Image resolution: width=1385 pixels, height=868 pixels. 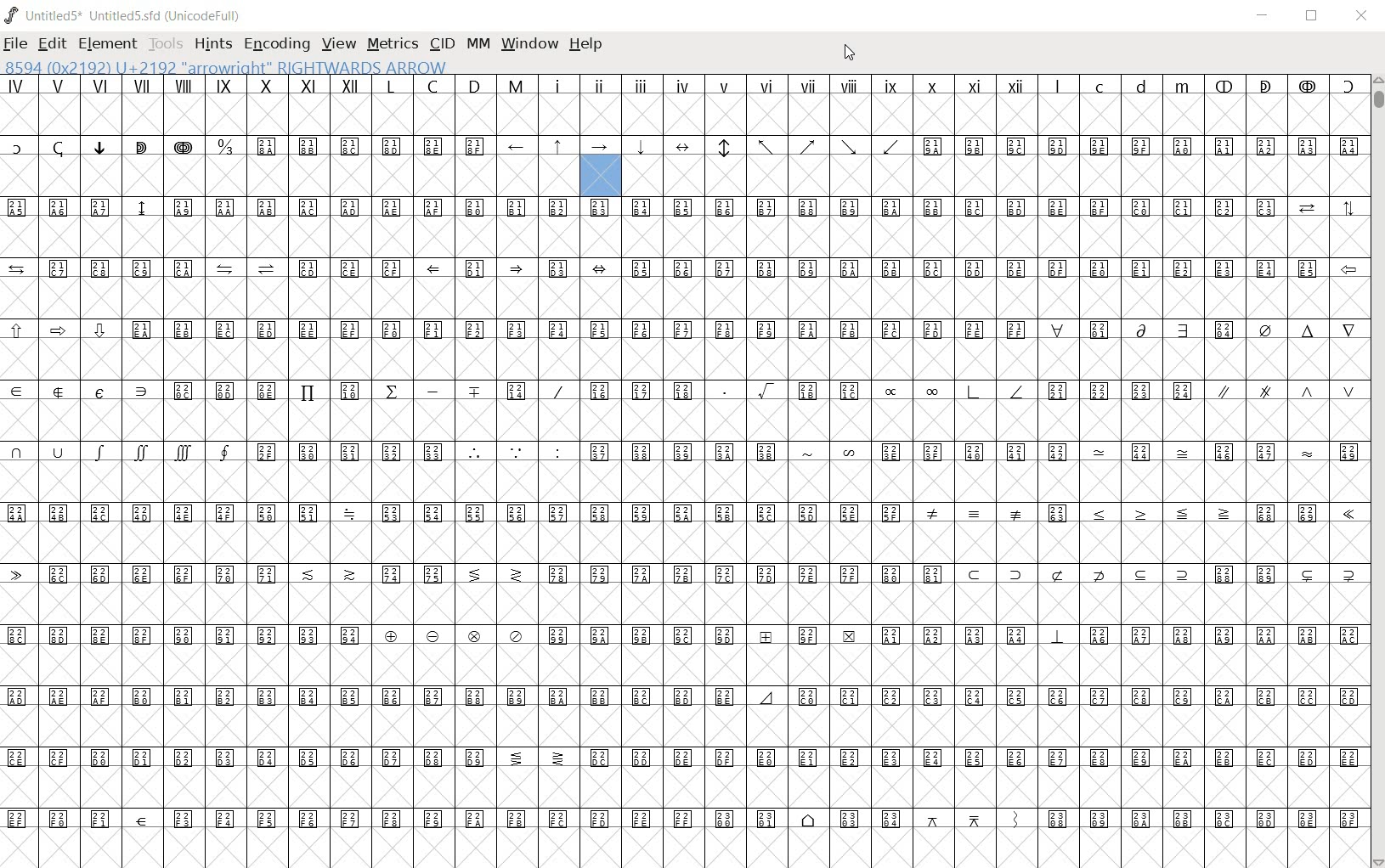 What do you see at coordinates (211, 43) in the screenshot?
I see `HINTS` at bounding box center [211, 43].